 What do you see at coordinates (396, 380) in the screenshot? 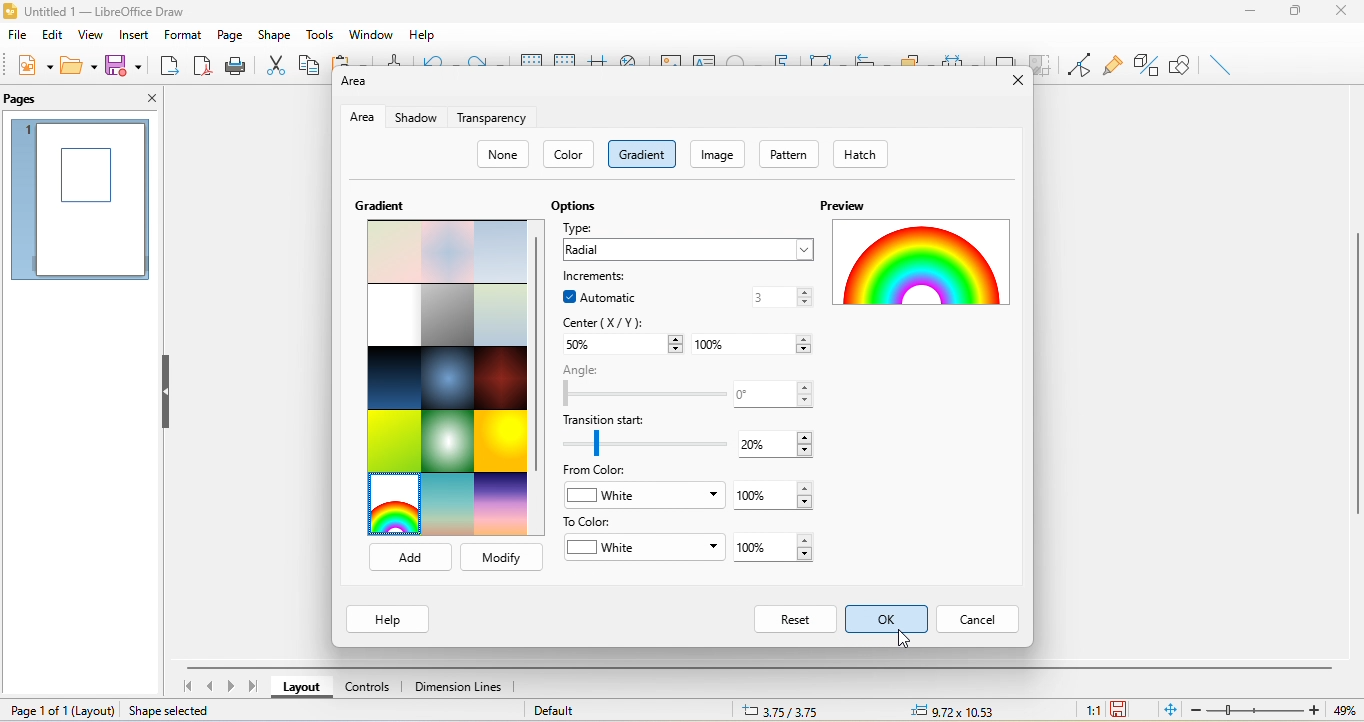
I see `midnight` at bounding box center [396, 380].